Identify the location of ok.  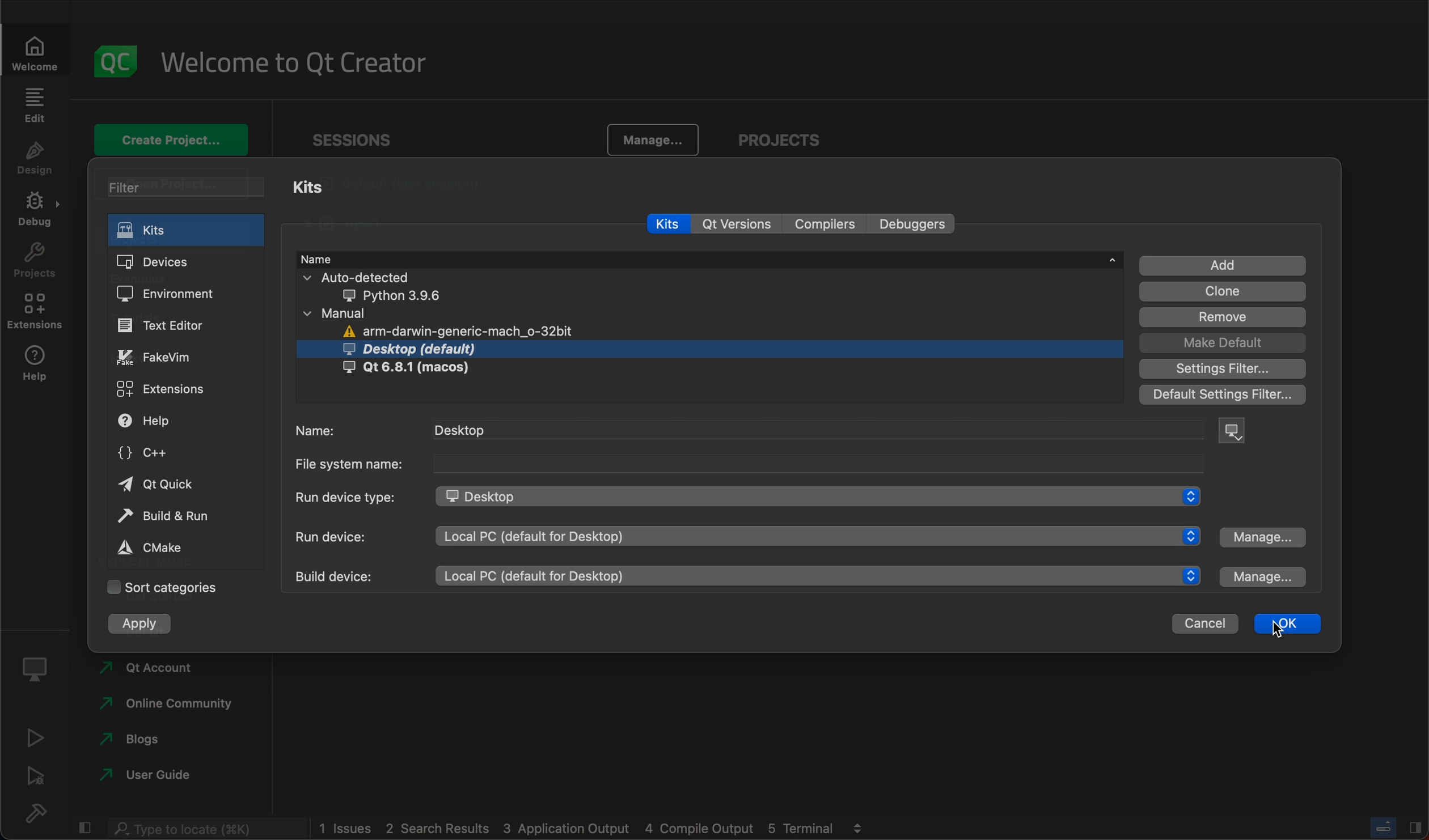
(1289, 626).